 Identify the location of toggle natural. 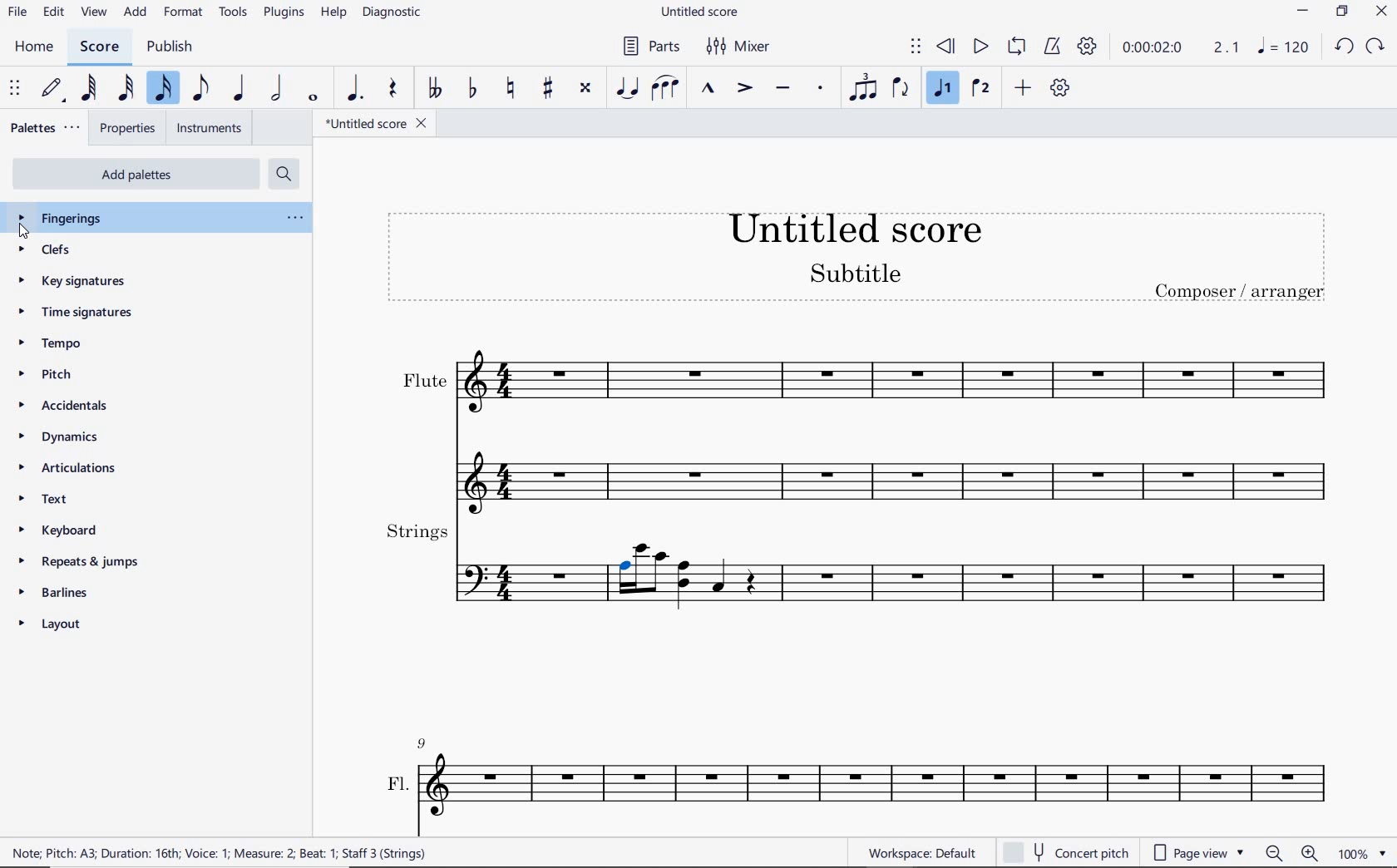
(513, 86).